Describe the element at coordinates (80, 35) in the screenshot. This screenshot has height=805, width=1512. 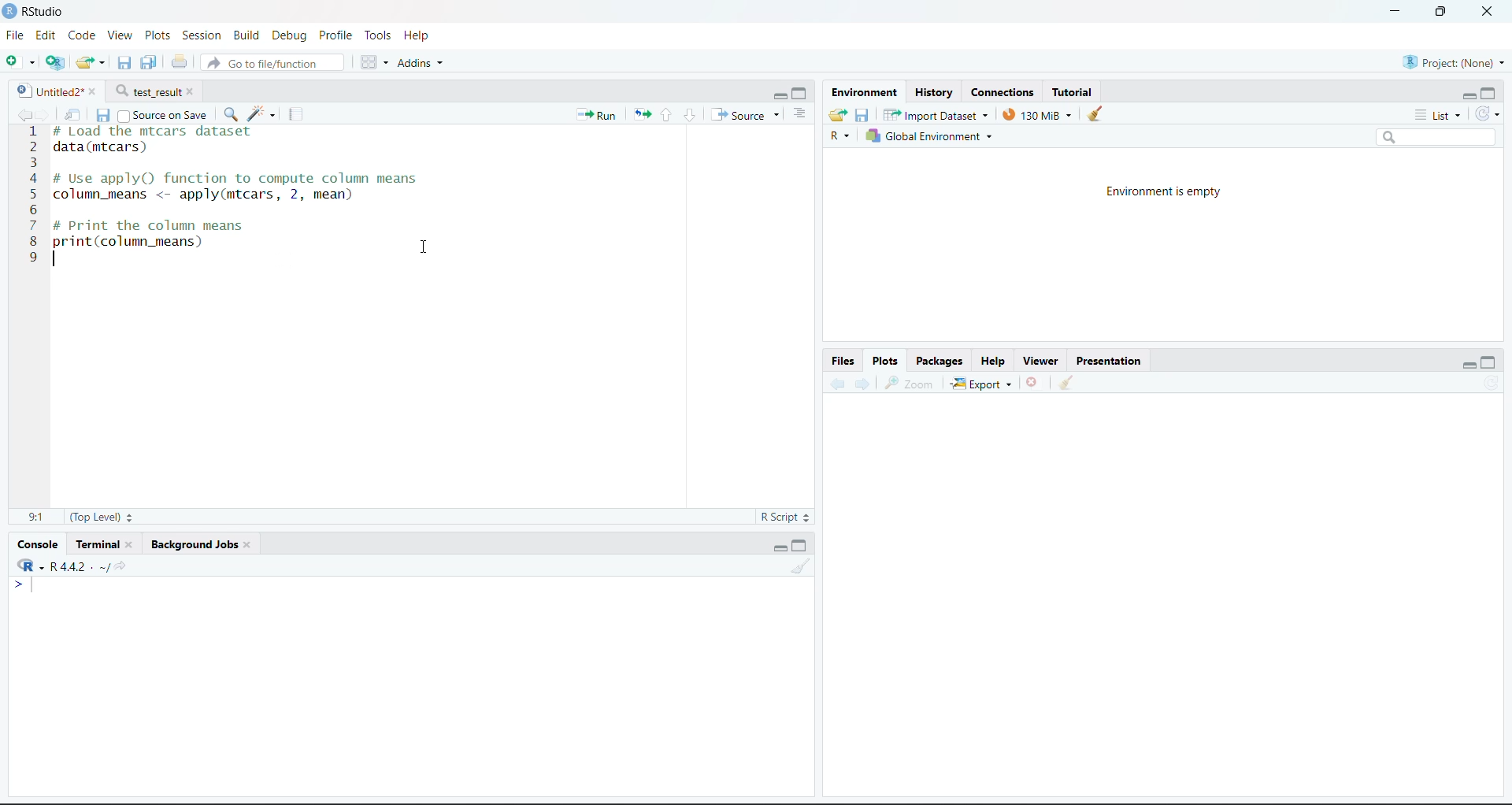
I see `Code` at that location.